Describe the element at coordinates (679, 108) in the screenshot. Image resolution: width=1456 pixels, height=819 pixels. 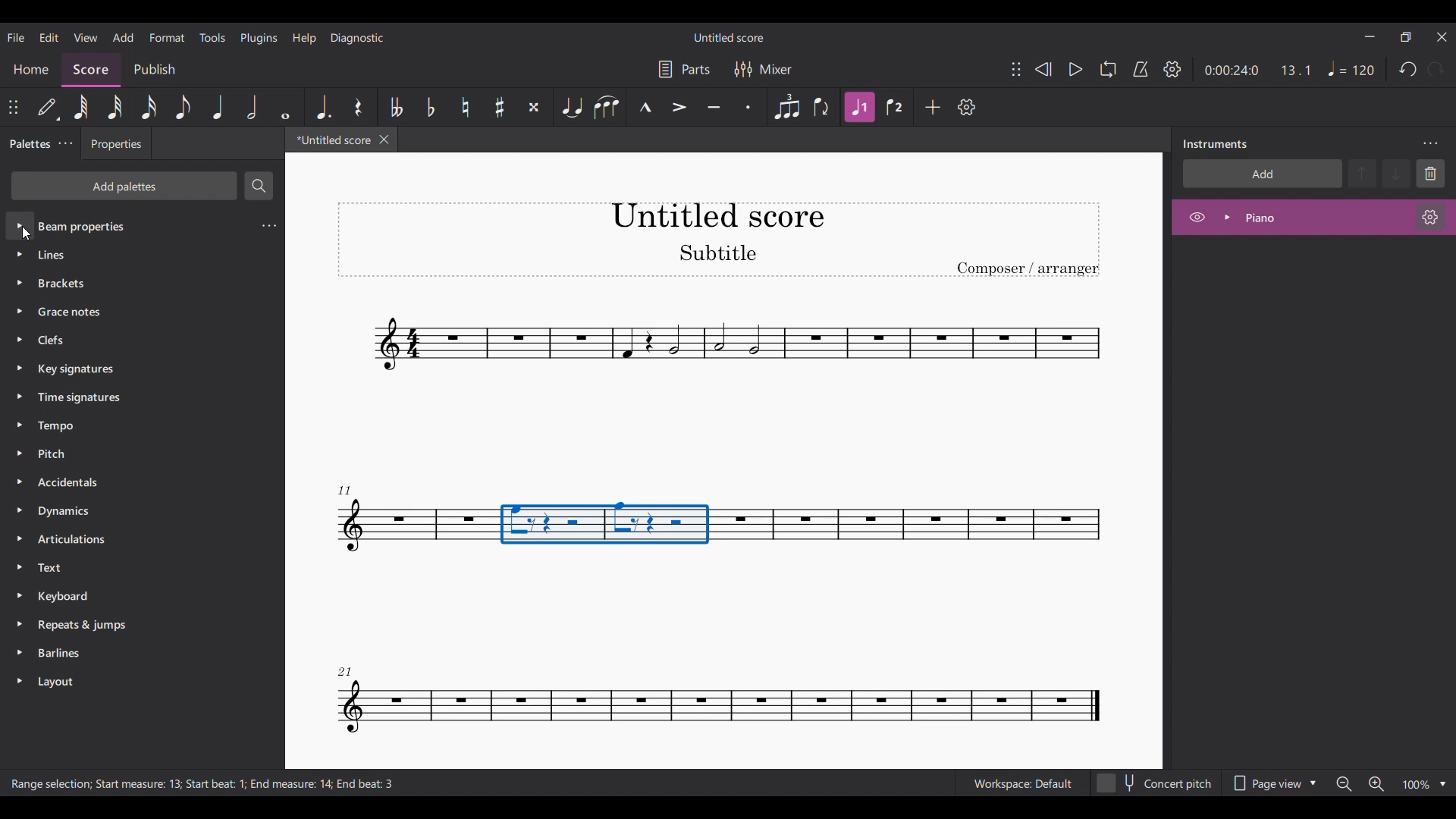
I see `Accent` at that location.